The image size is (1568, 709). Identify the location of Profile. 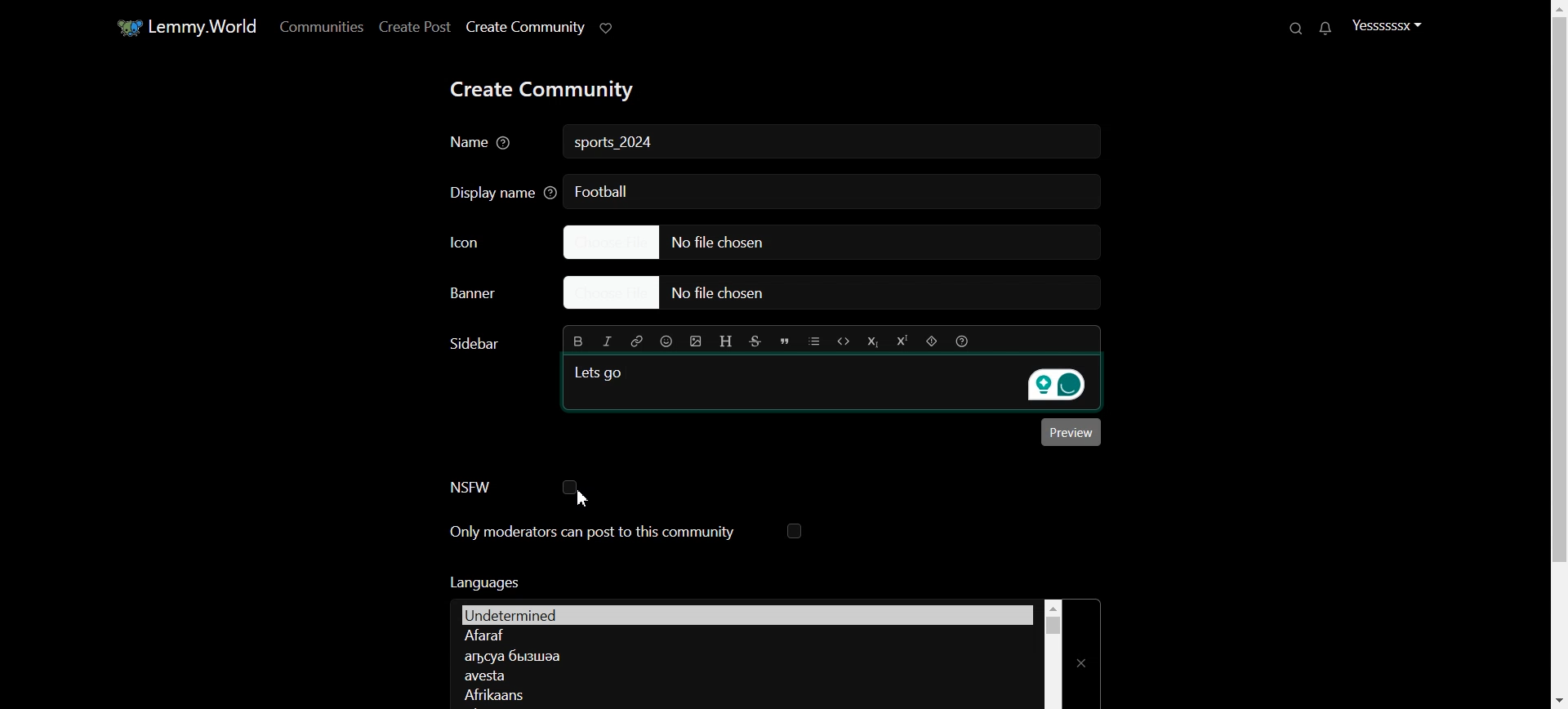
(1387, 25).